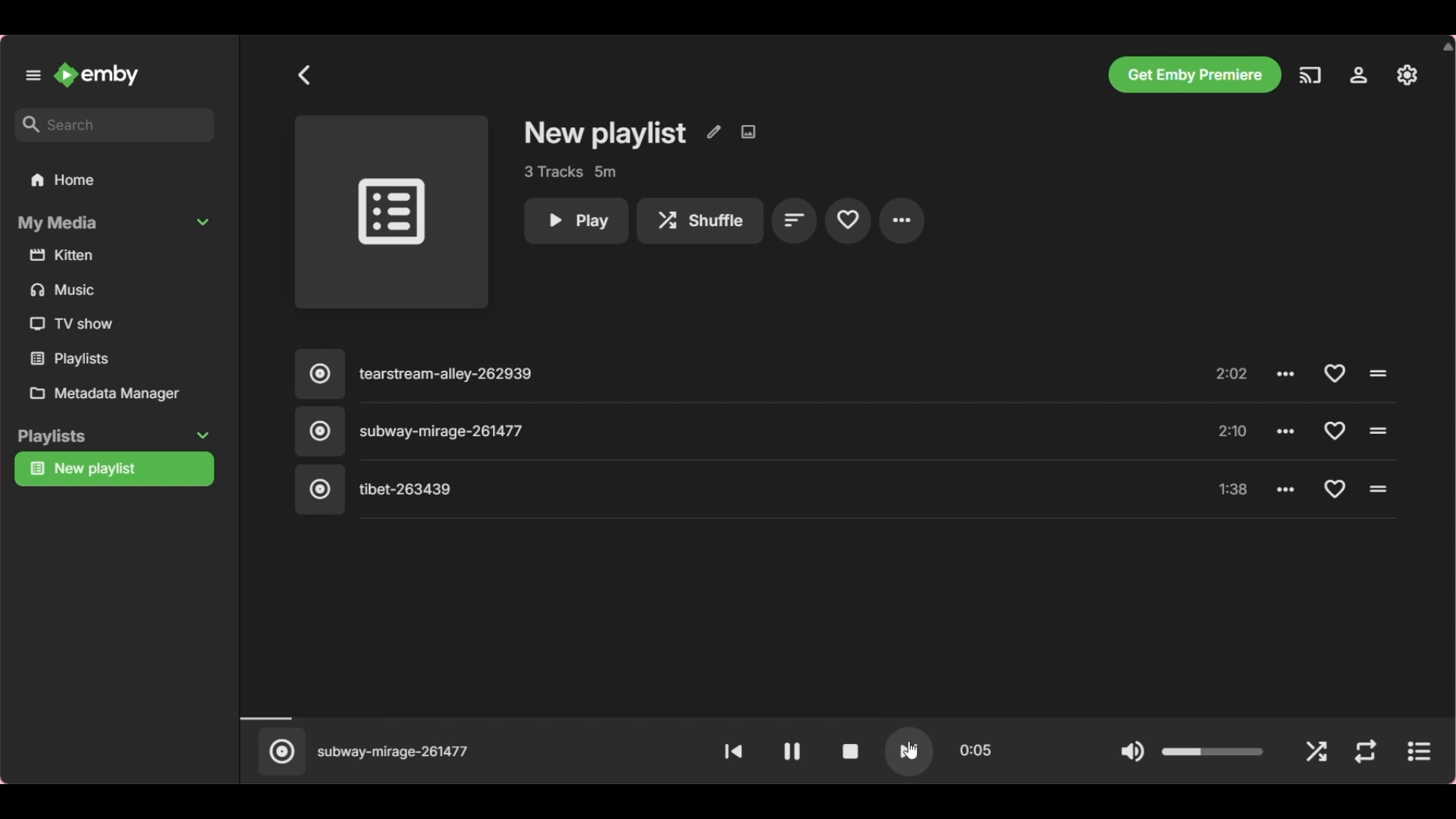 The image size is (1456, 819). What do you see at coordinates (1315, 752) in the screenshot?
I see `Shuffle` at bounding box center [1315, 752].